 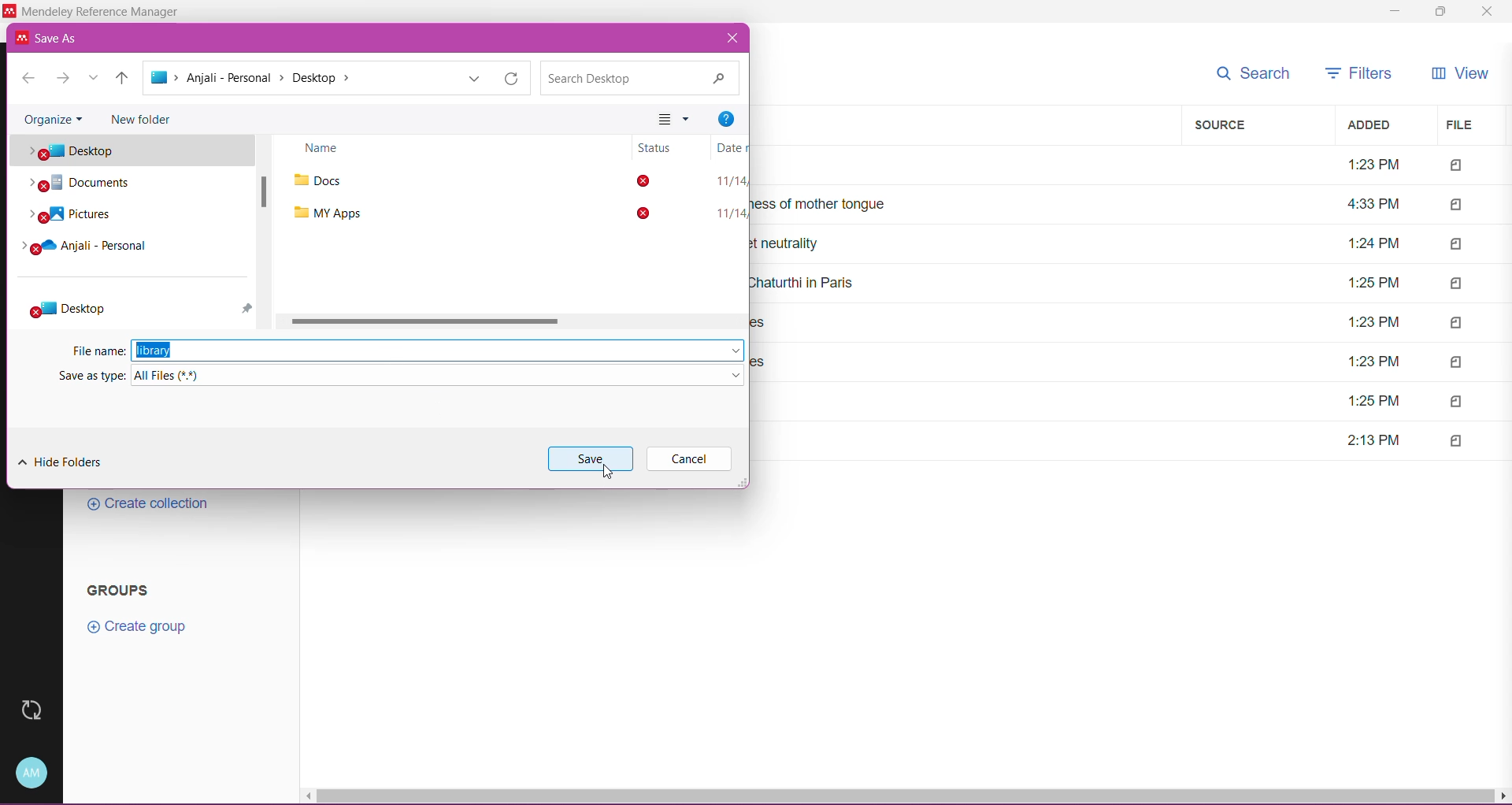 I want to click on Hide Folders, so click(x=61, y=462).